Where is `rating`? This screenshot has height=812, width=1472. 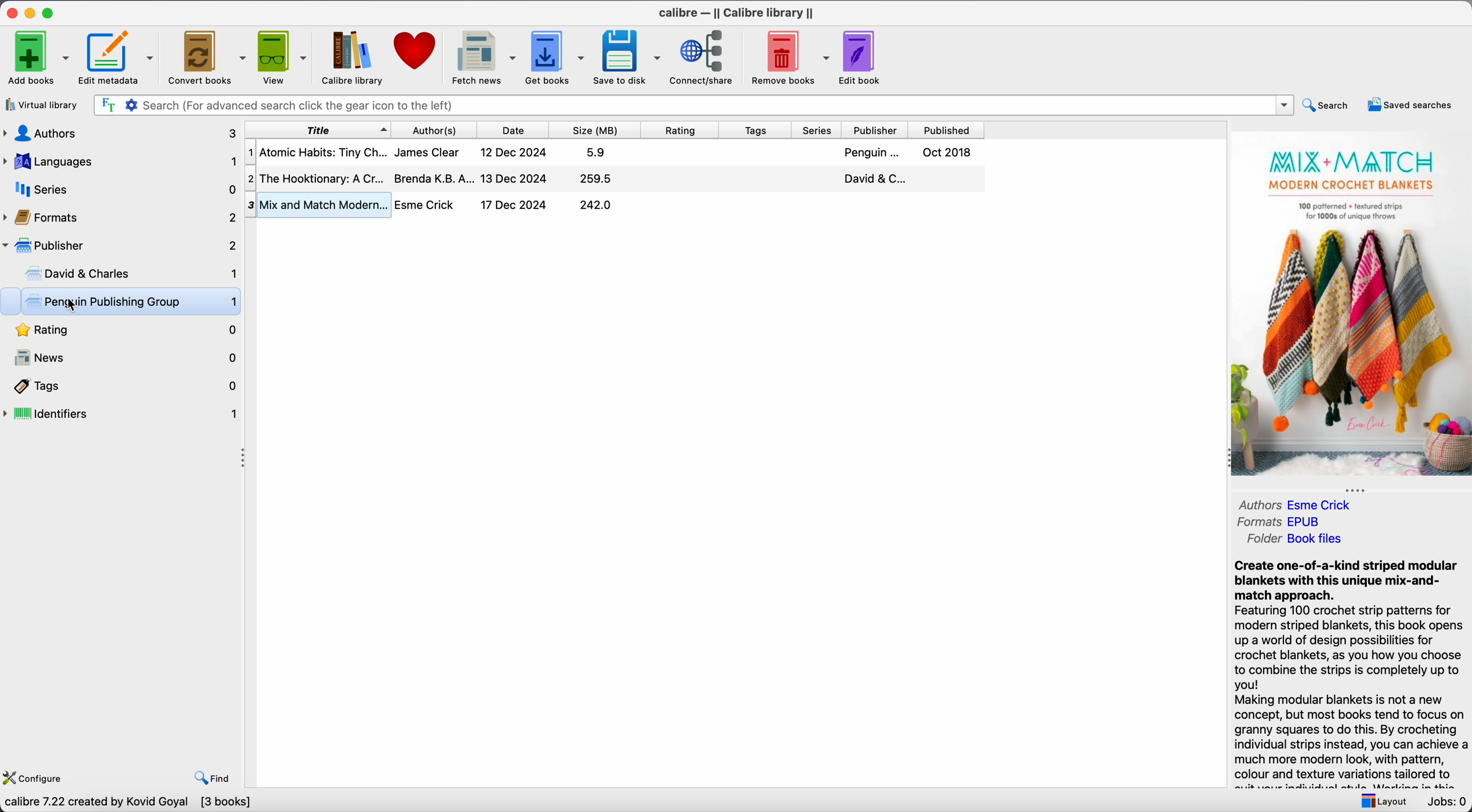 rating is located at coordinates (122, 331).